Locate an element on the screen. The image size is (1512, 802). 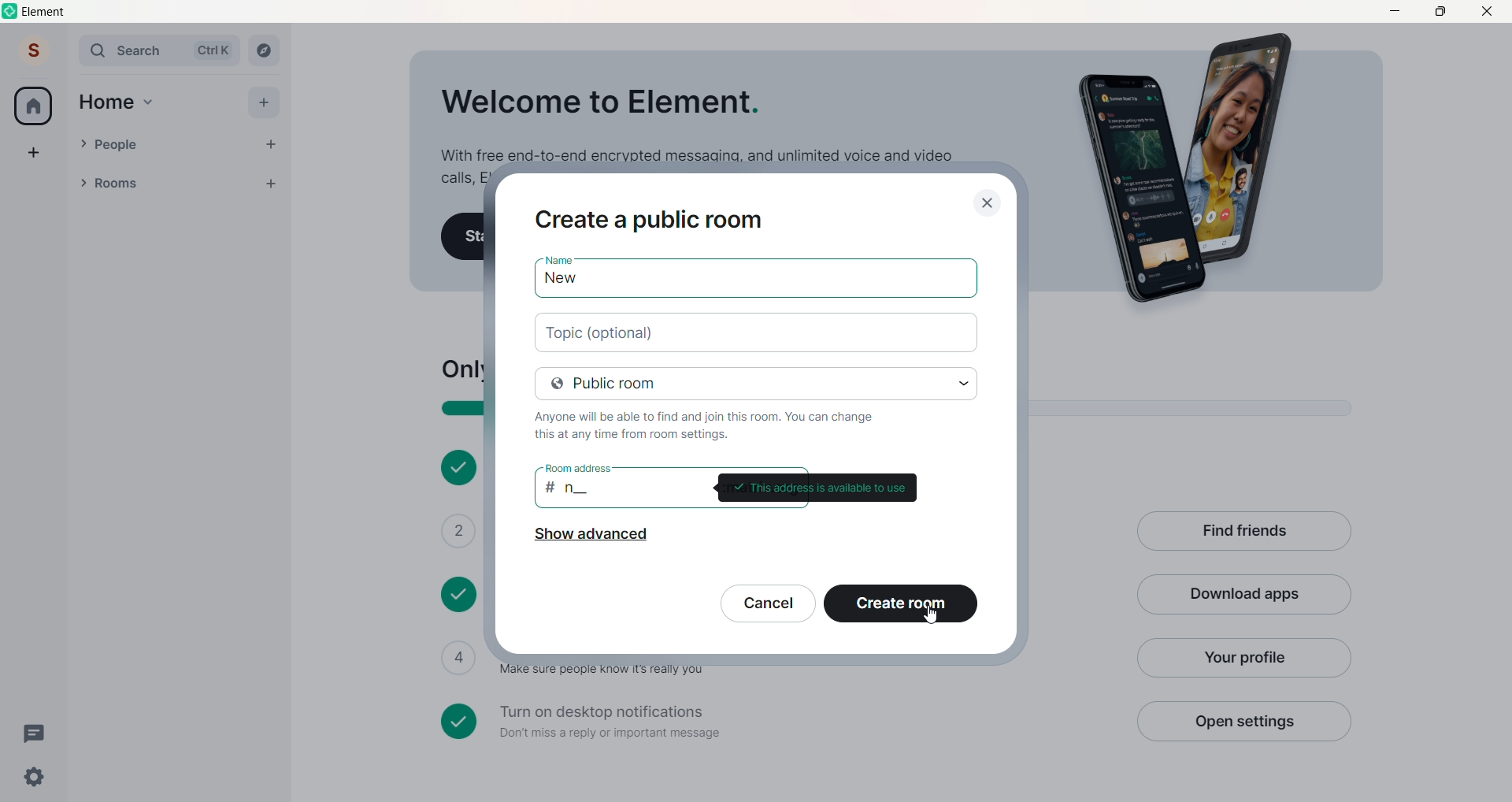
Create a Space is located at coordinates (34, 152).